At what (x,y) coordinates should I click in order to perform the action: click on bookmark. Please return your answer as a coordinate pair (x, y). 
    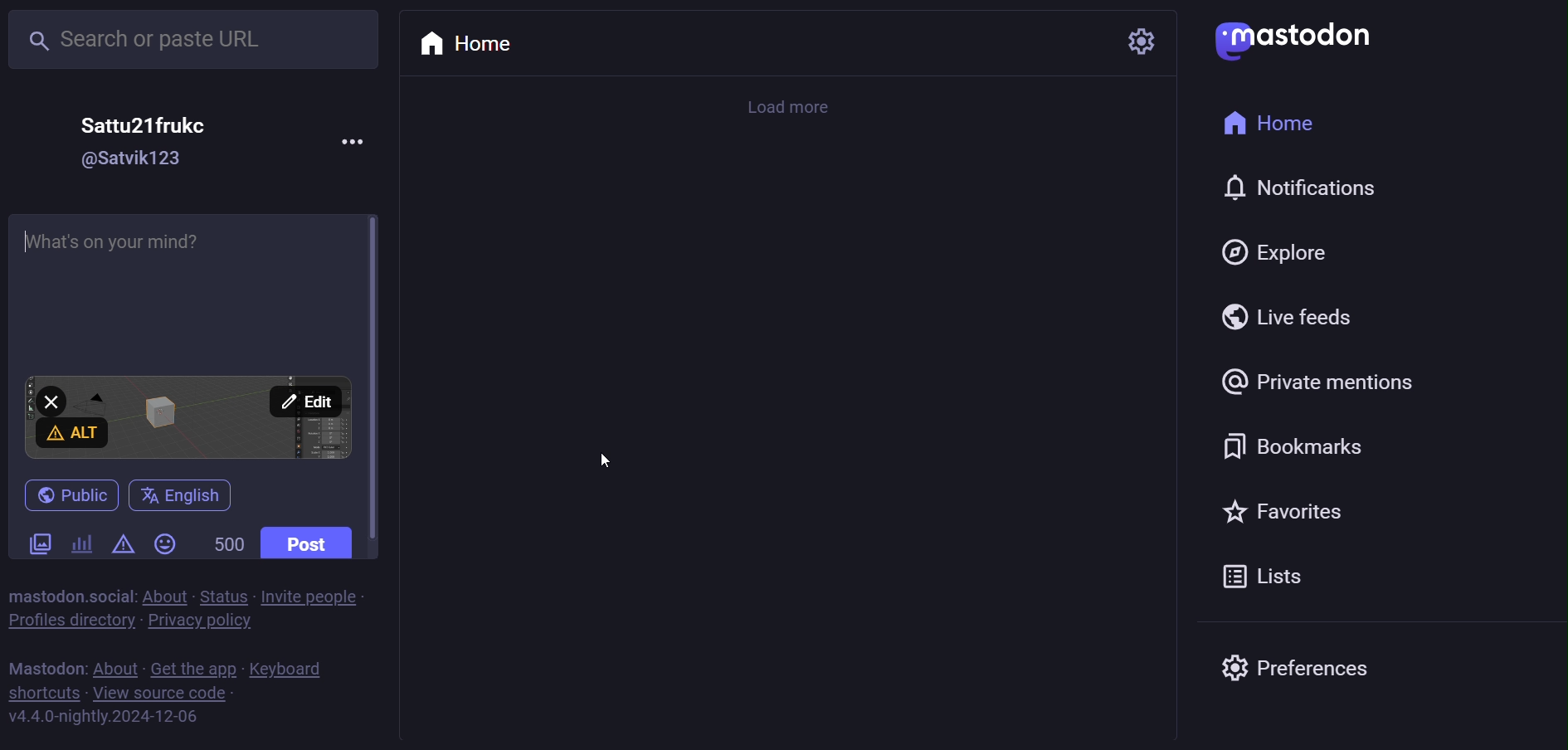
    Looking at the image, I should click on (1288, 444).